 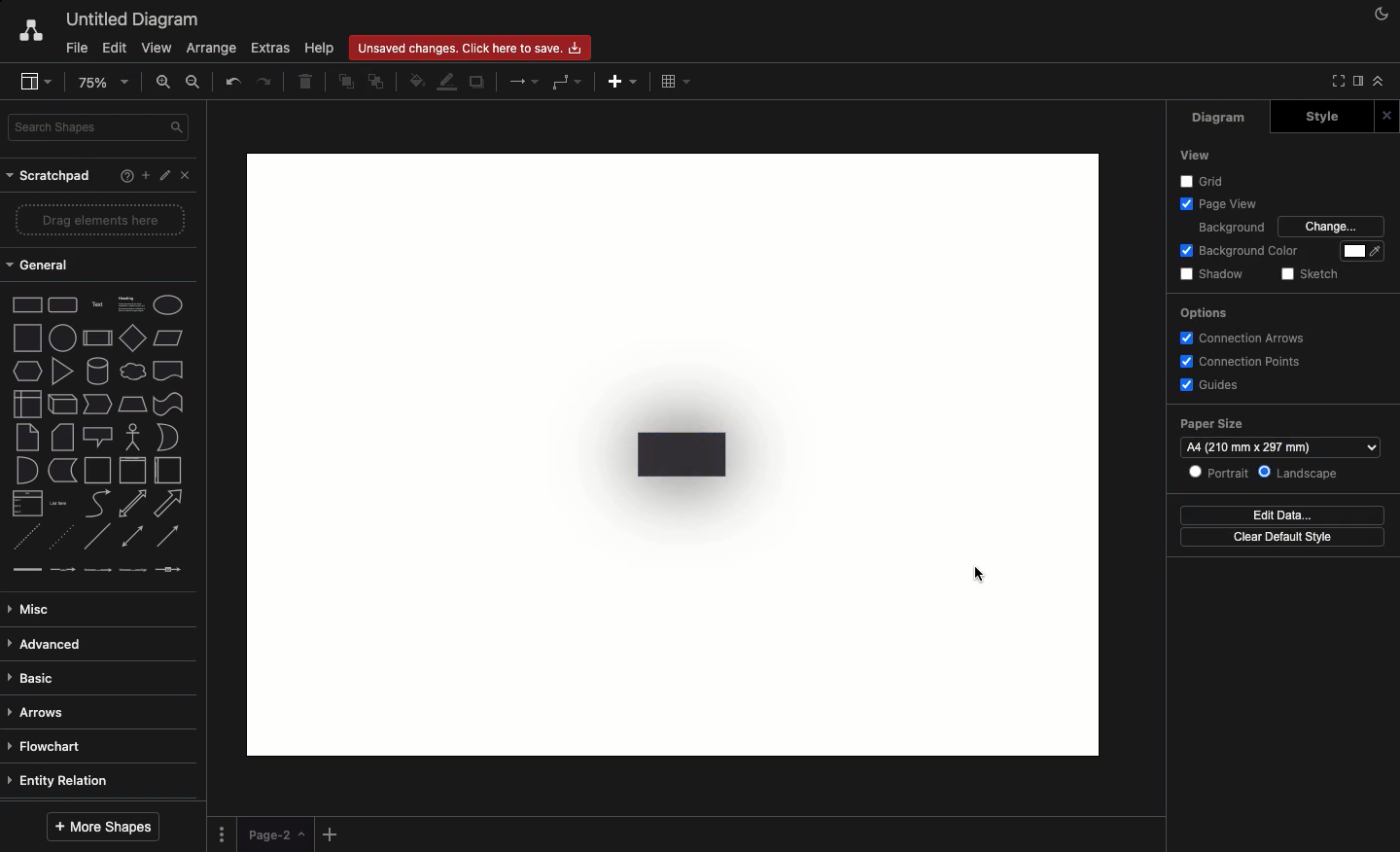 What do you see at coordinates (131, 472) in the screenshot?
I see `vertical container` at bounding box center [131, 472].